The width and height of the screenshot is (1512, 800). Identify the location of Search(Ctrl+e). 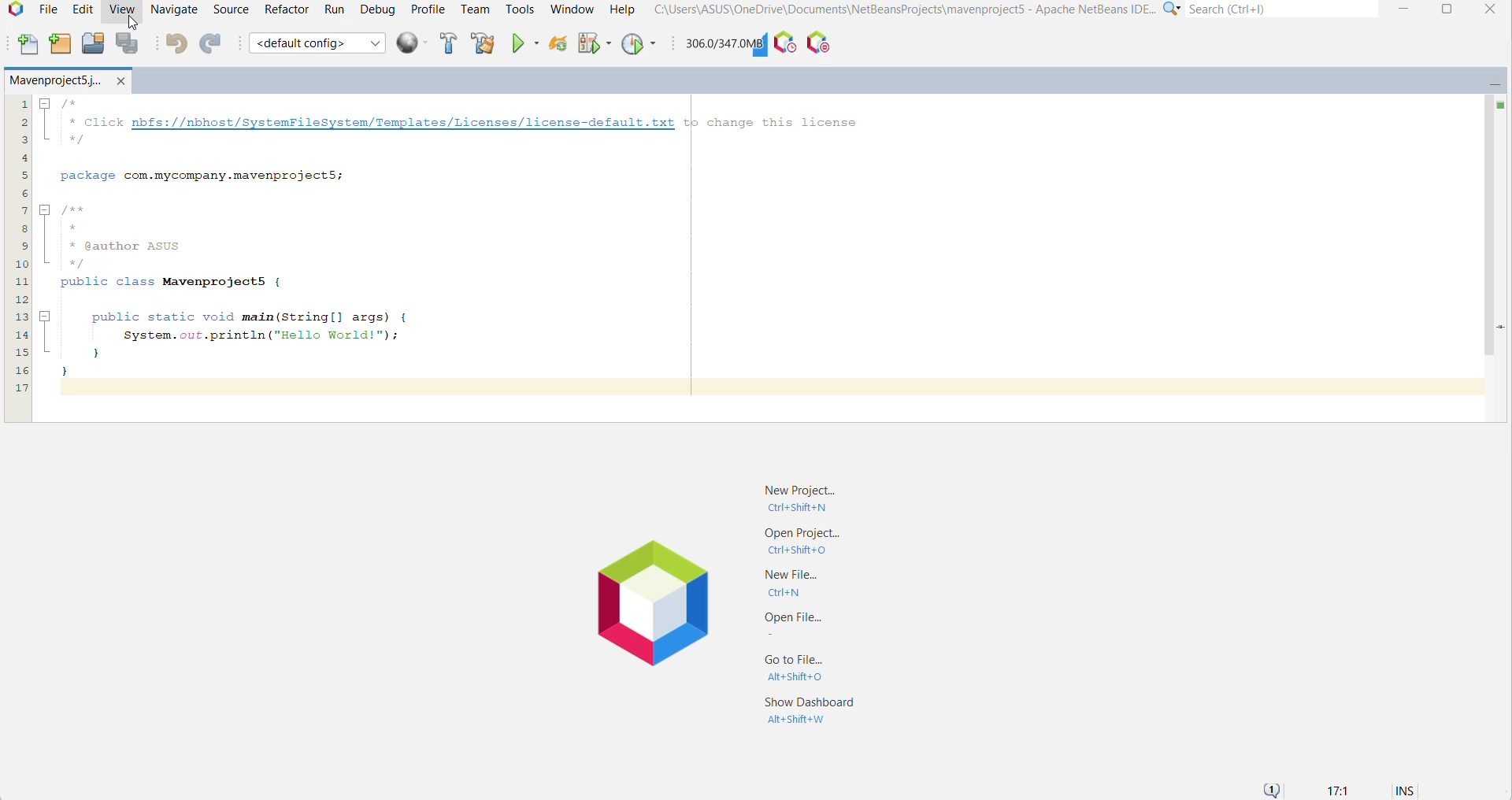
(1284, 9).